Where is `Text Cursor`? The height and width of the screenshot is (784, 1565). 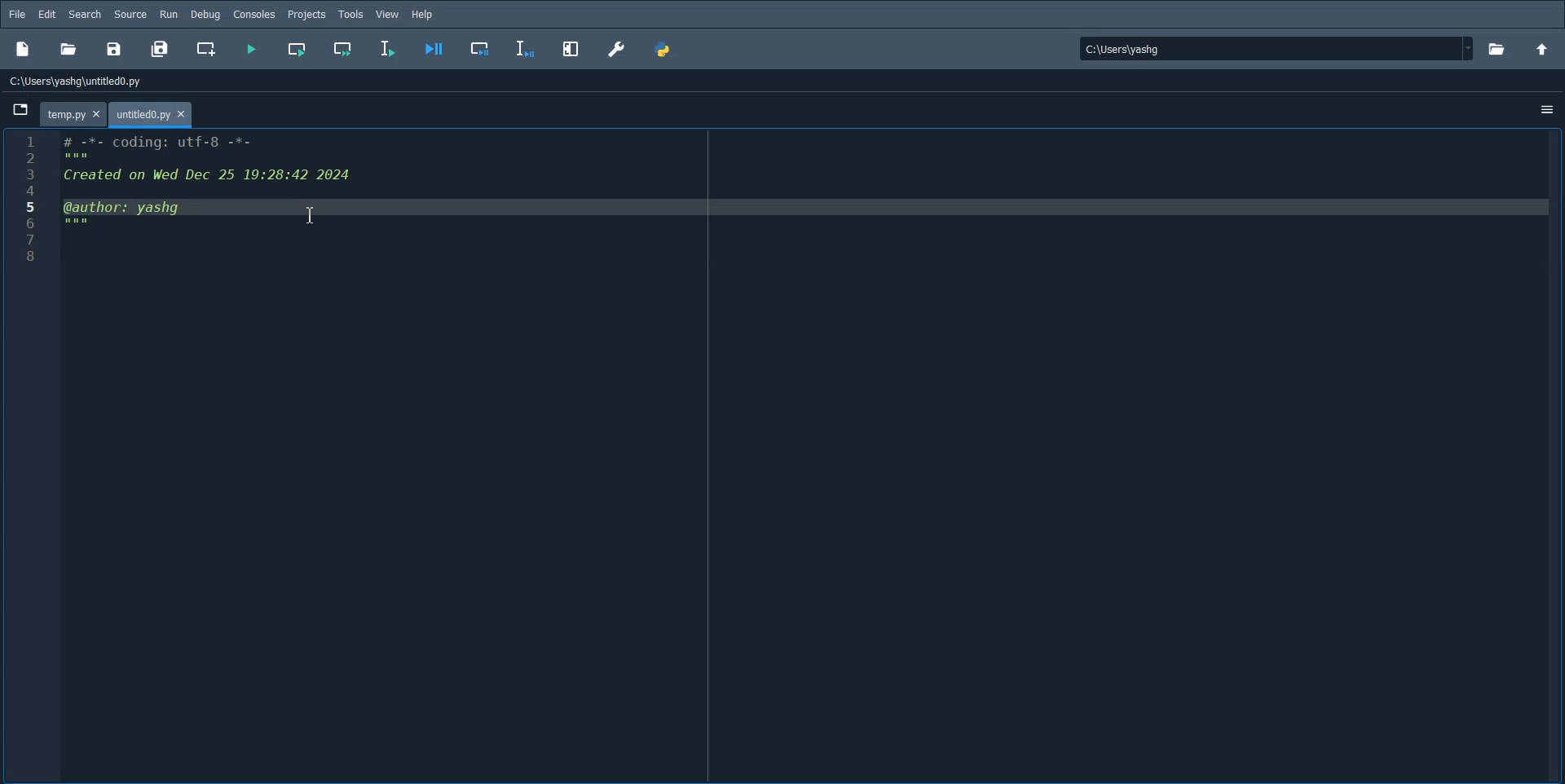 Text Cursor is located at coordinates (311, 215).